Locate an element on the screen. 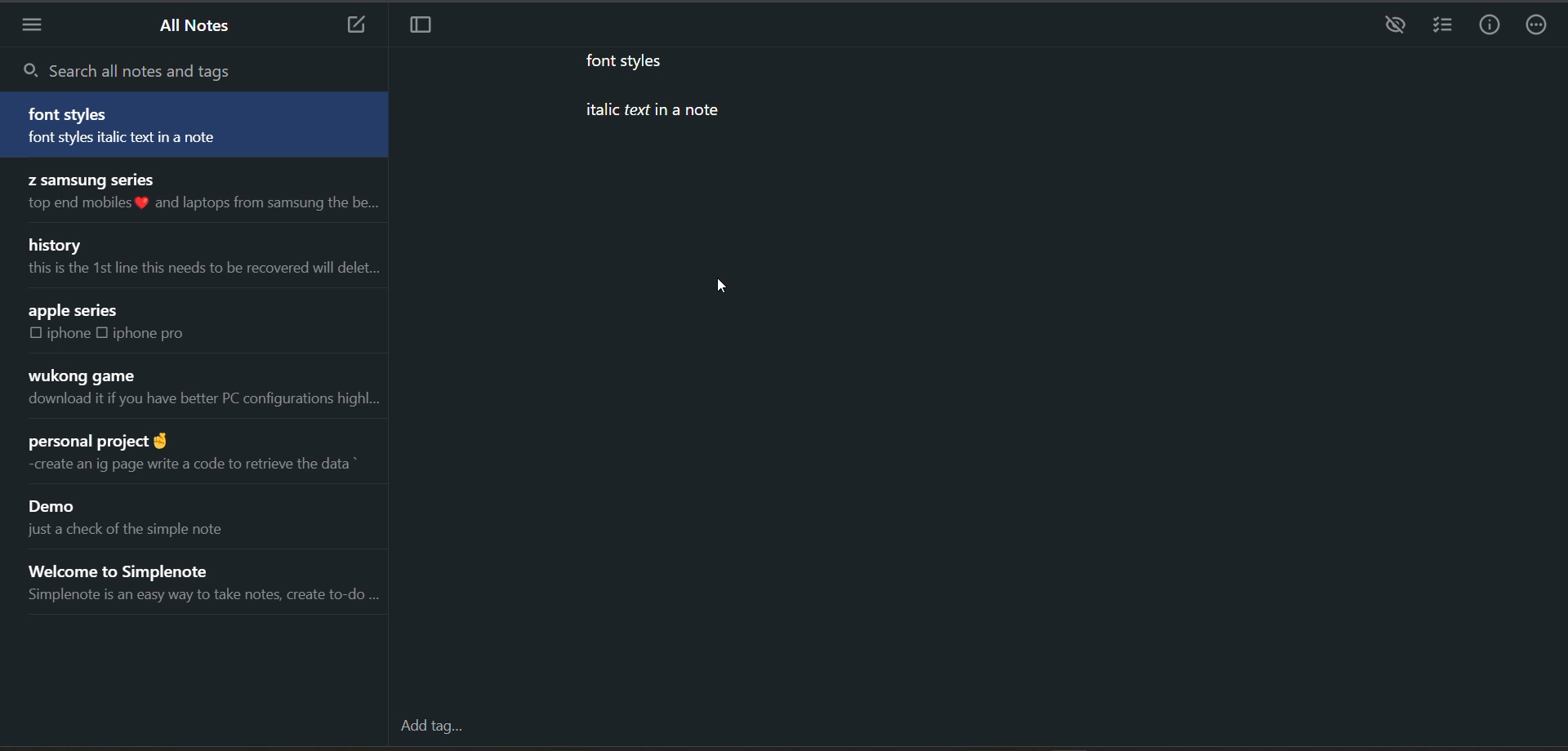  note title and preview is located at coordinates (136, 327).